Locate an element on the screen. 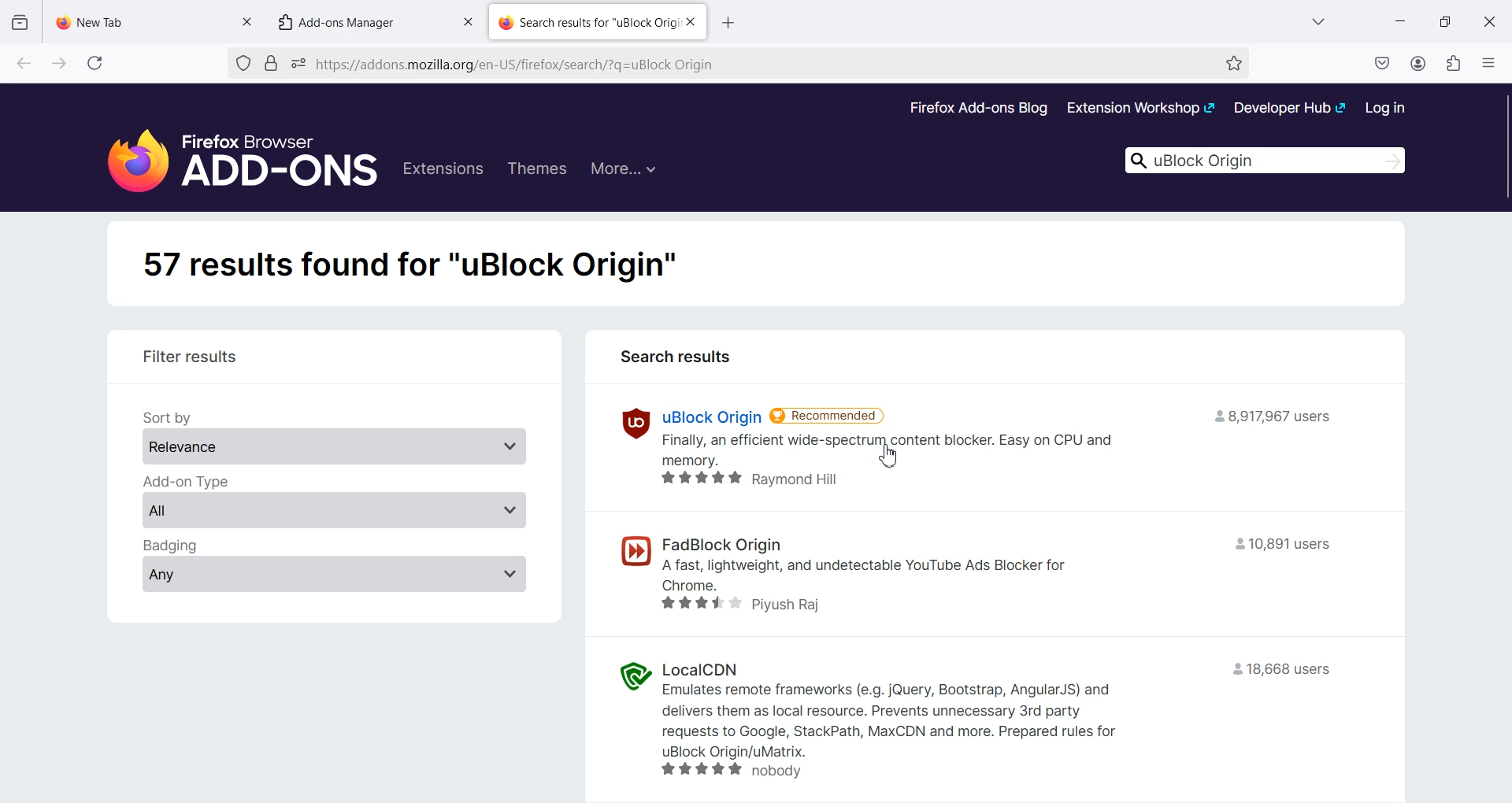 This screenshot has width=1512, height=803. star rating is located at coordinates (702, 607).